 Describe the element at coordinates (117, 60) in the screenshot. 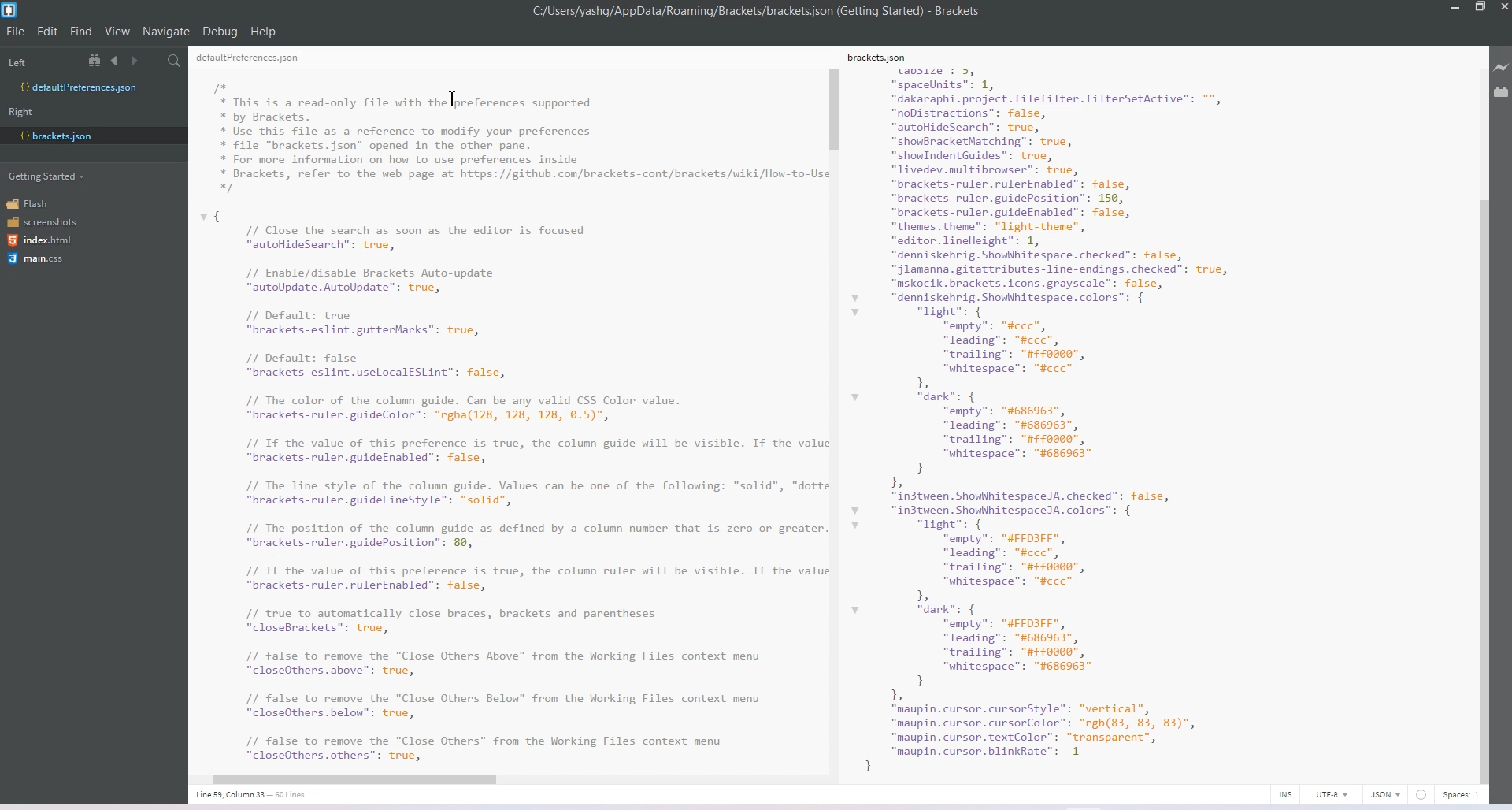

I see `Navigate Backward` at that location.